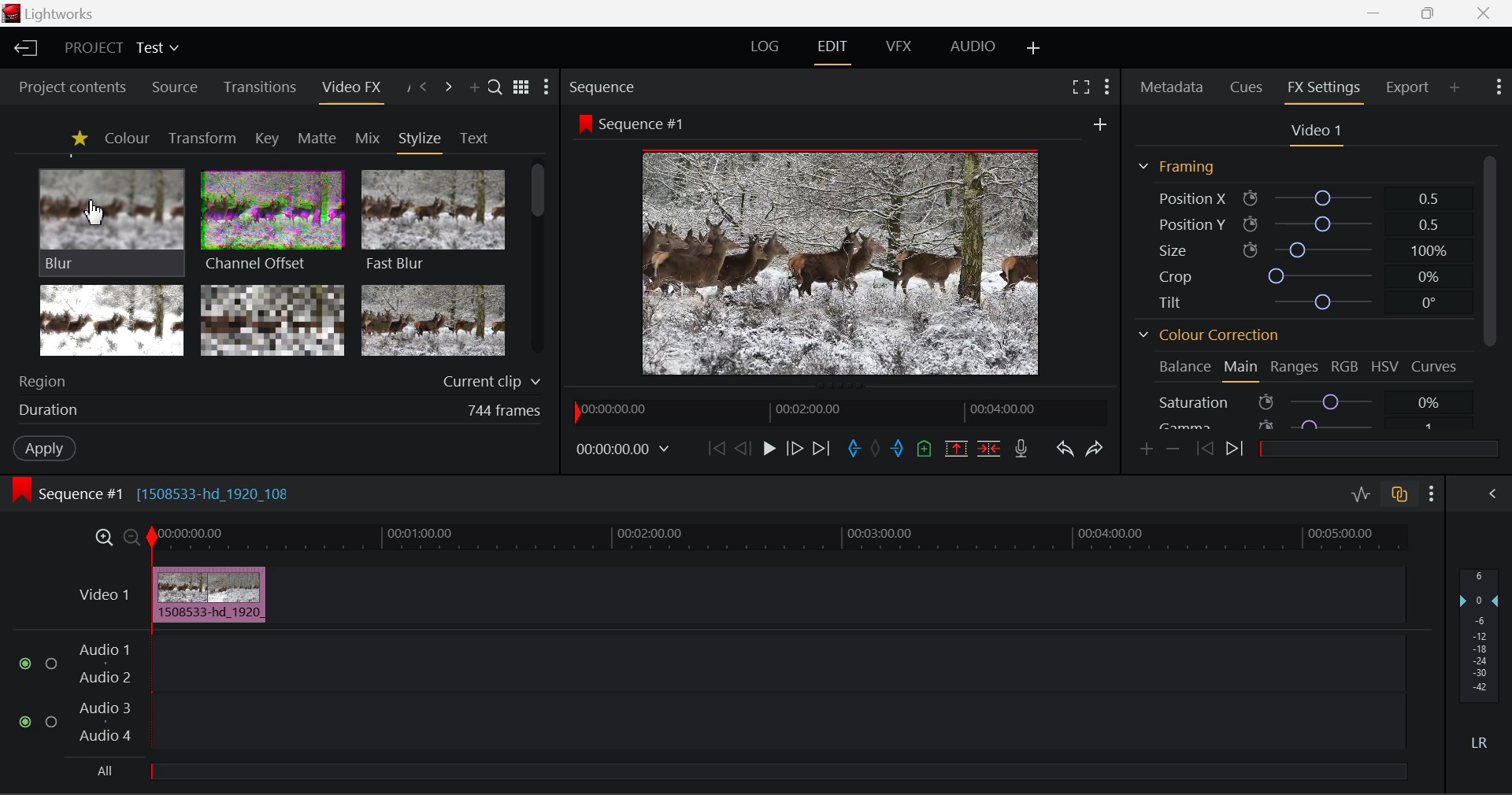 Image resolution: width=1512 pixels, height=795 pixels. I want to click on Mosaic, so click(274, 321).